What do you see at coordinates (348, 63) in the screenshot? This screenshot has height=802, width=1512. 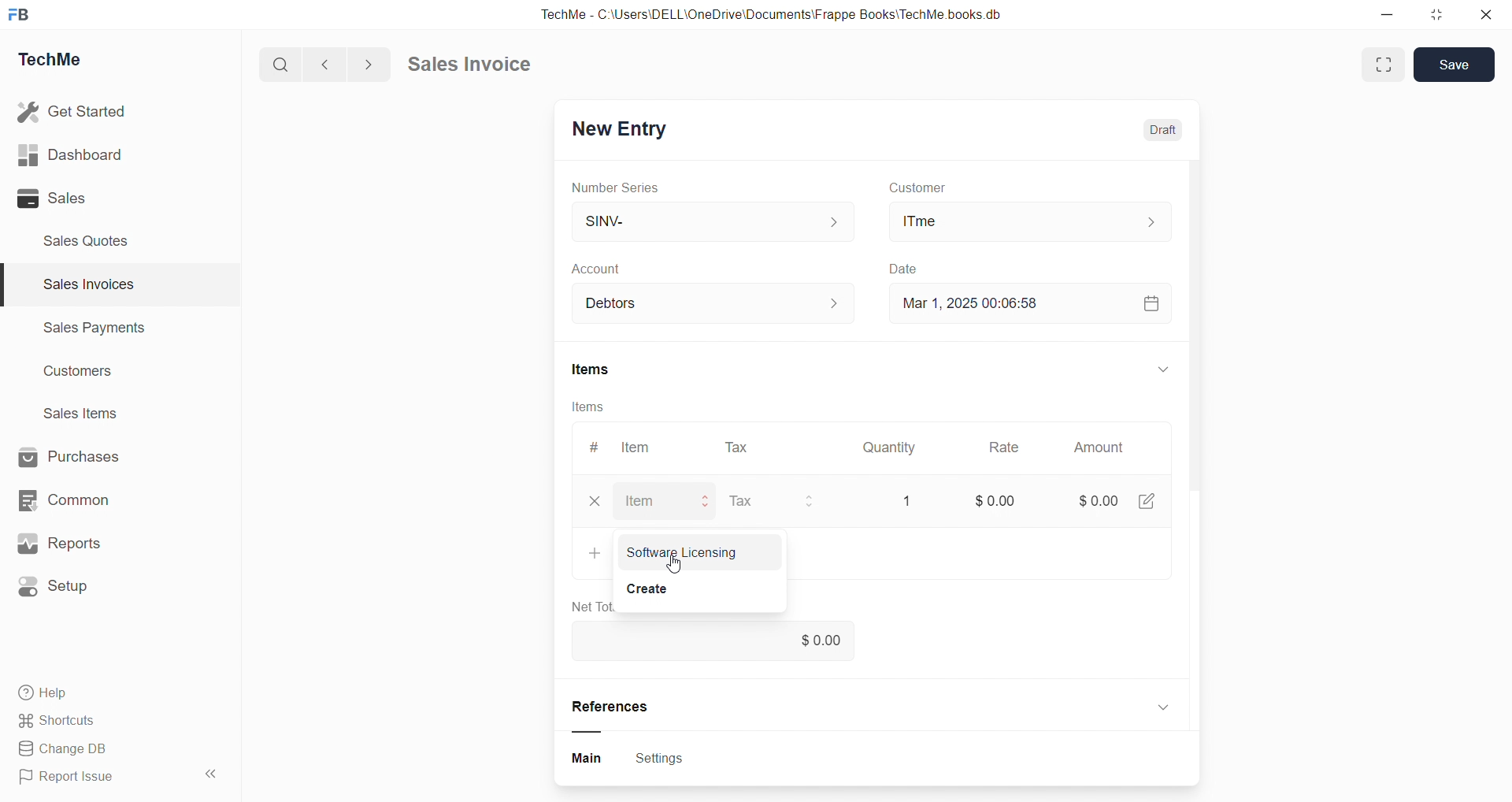 I see `Forward/Backward` at bounding box center [348, 63].